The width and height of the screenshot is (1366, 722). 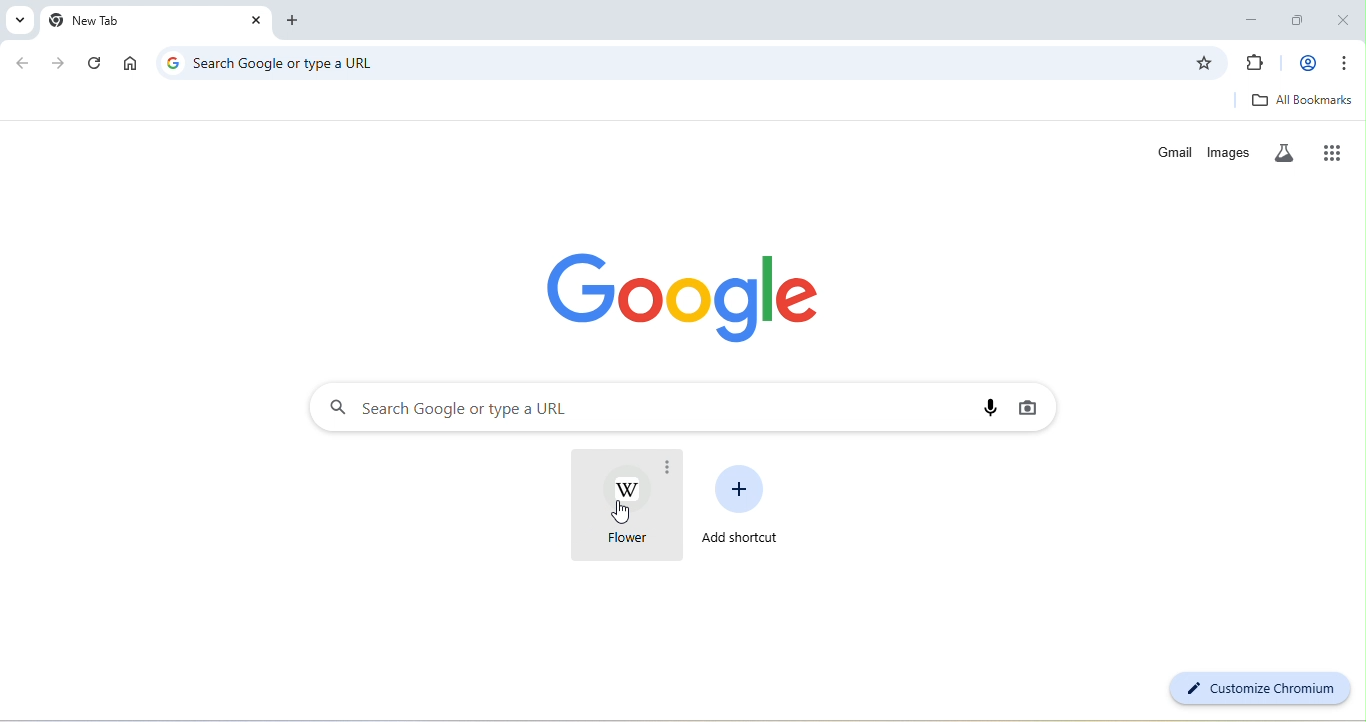 What do you see at coordinates (300, 22) in the screenshot?
I see `new tab` at bounding box center [300, 22].